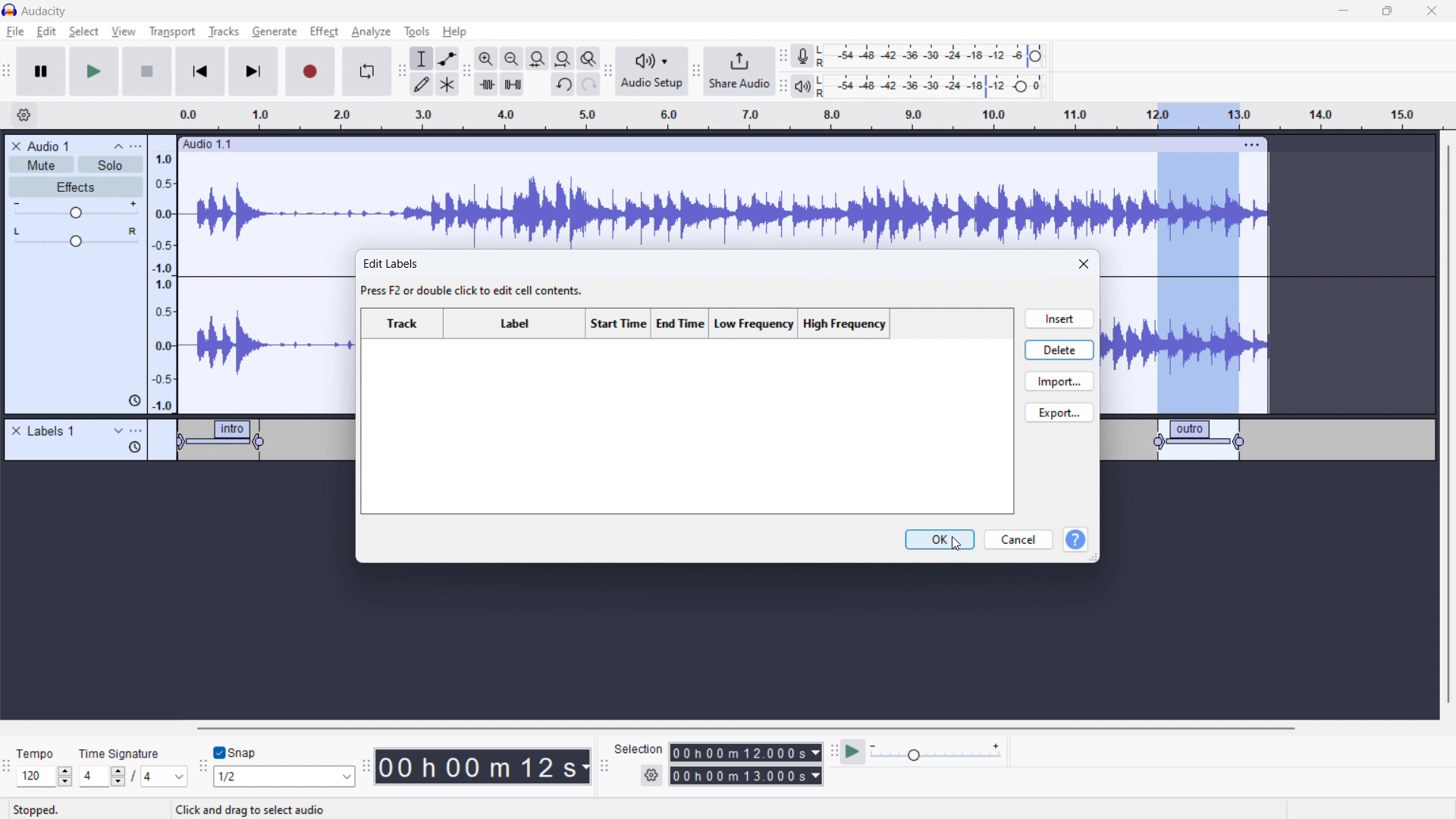 This screenshot has height=819, width=1456. I want to click on Timeline, so click(1267, 512).